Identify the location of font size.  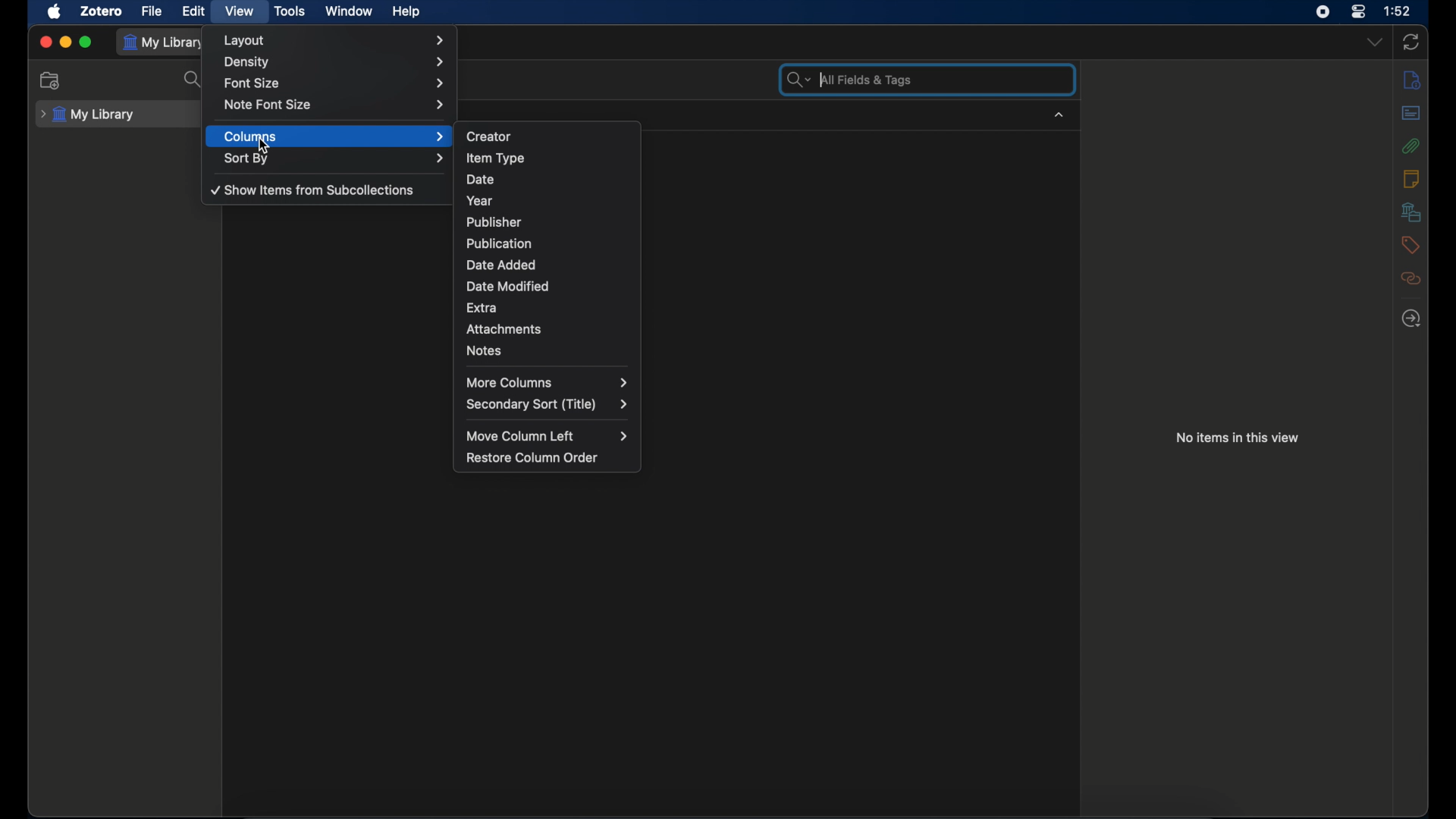
(337, 84).